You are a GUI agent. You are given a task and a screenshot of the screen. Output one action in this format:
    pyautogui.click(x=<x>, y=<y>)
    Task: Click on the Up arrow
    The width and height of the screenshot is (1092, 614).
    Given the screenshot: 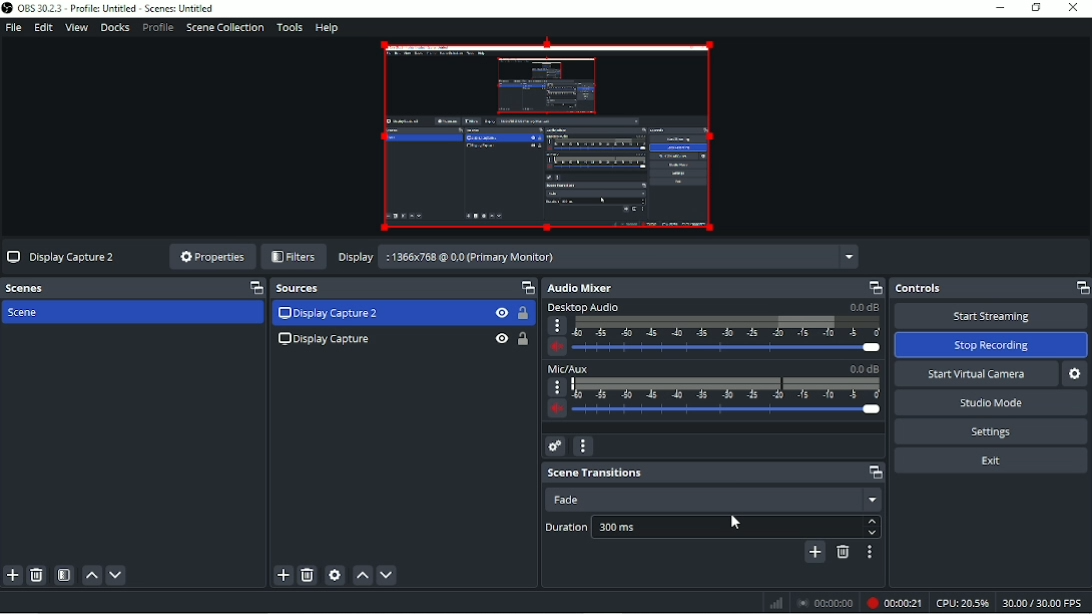 What is the action you would take?
    pyautogui.click(x=872, y=522)
    